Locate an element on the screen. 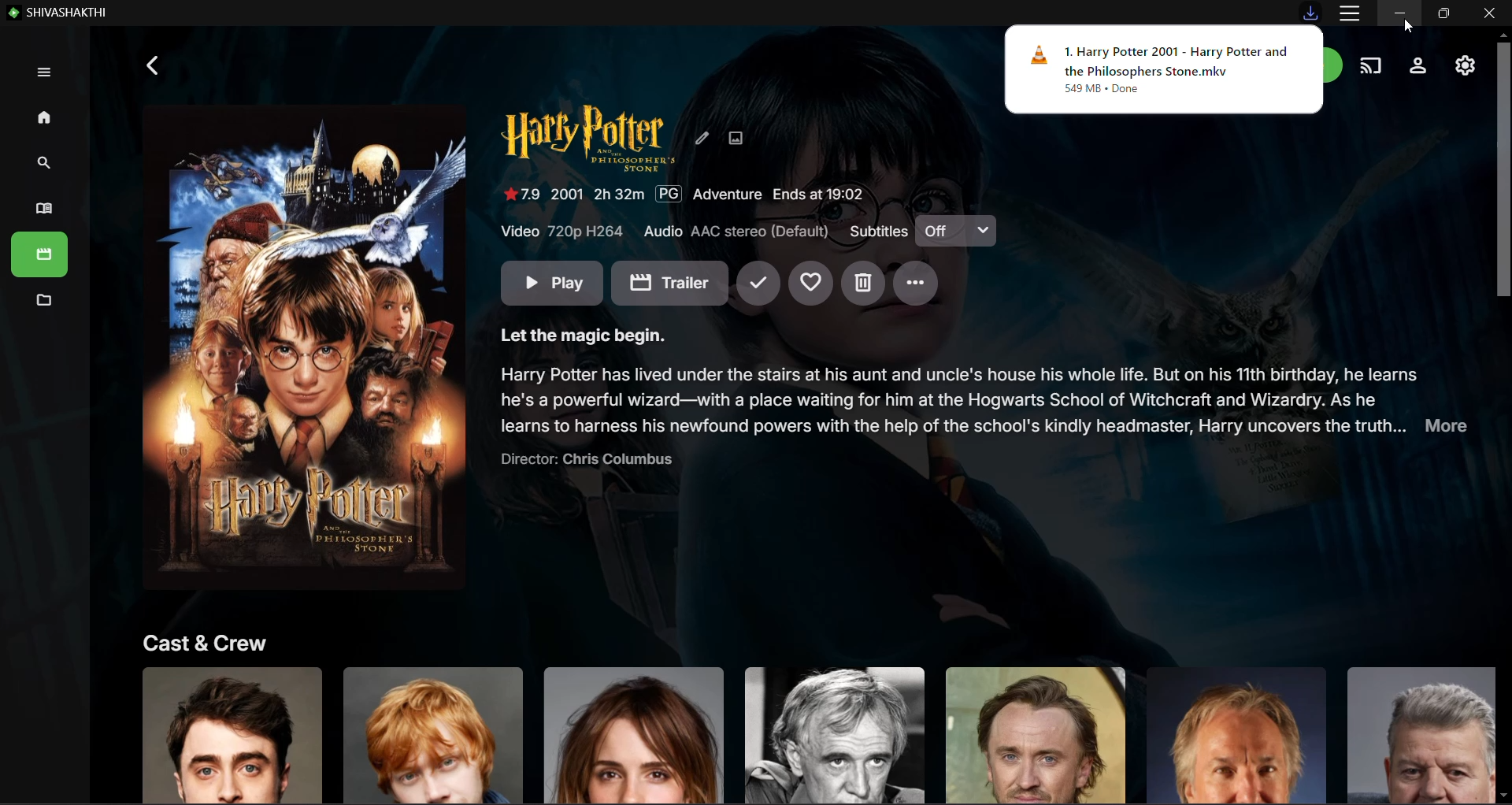 This screenshot has width=1512, height=805. Subtitles on/off is located at coordinates (956, 230).